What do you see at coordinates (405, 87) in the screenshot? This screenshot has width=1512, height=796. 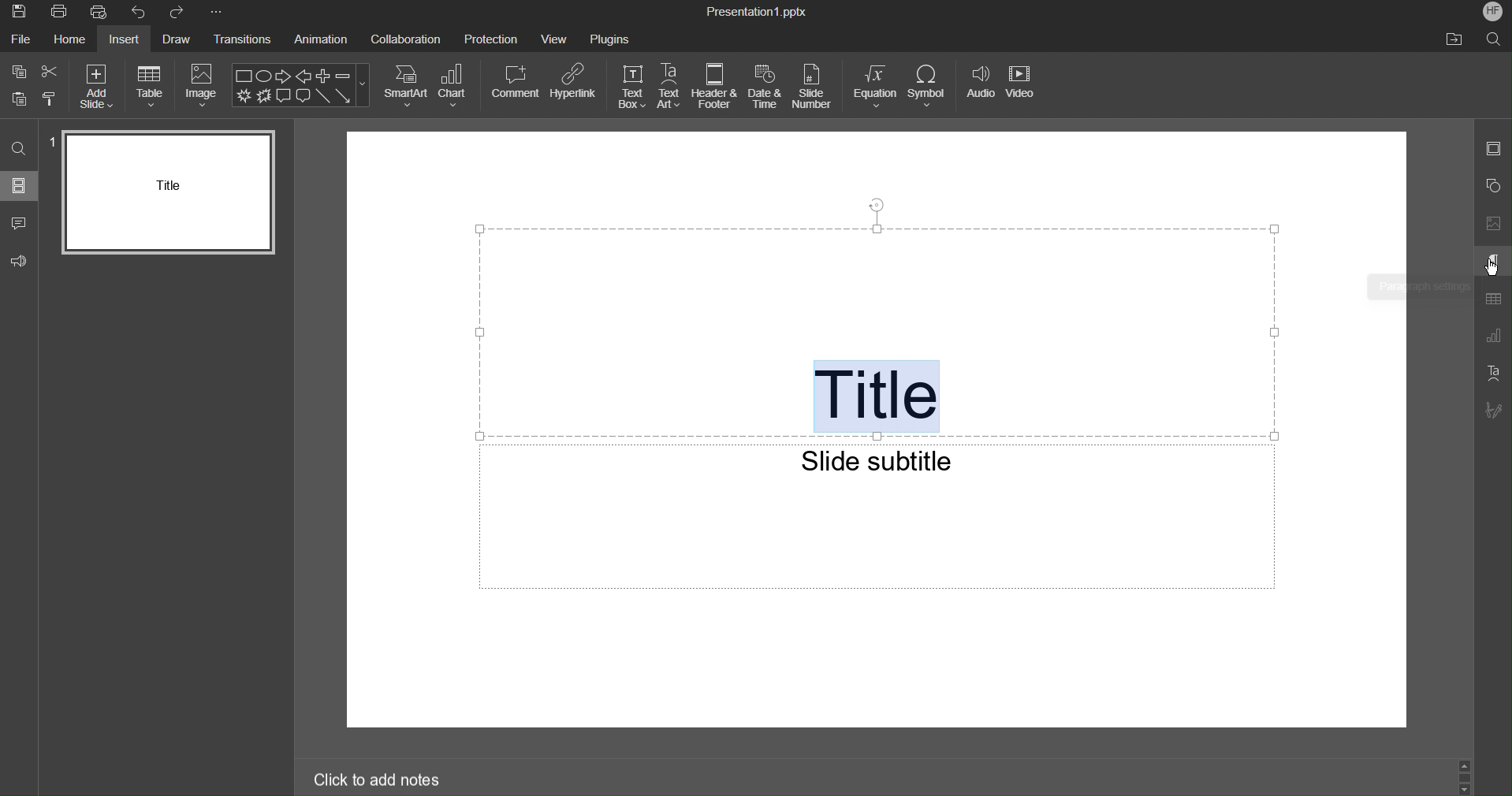 I see `SmartArt` at bounding box center [405, 87].